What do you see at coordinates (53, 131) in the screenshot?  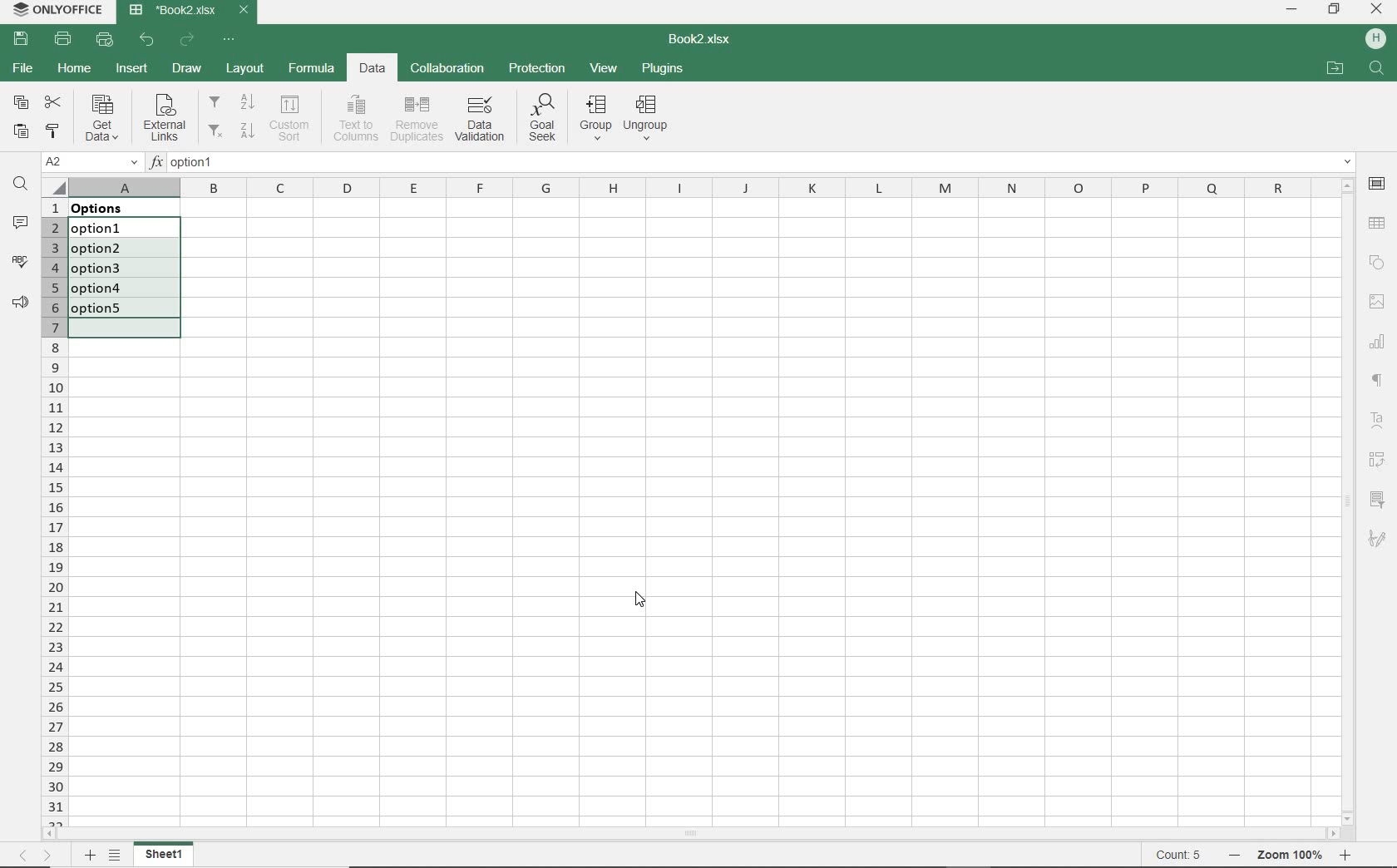 I see `COPY STYLE` at bounding box center [53, 131].